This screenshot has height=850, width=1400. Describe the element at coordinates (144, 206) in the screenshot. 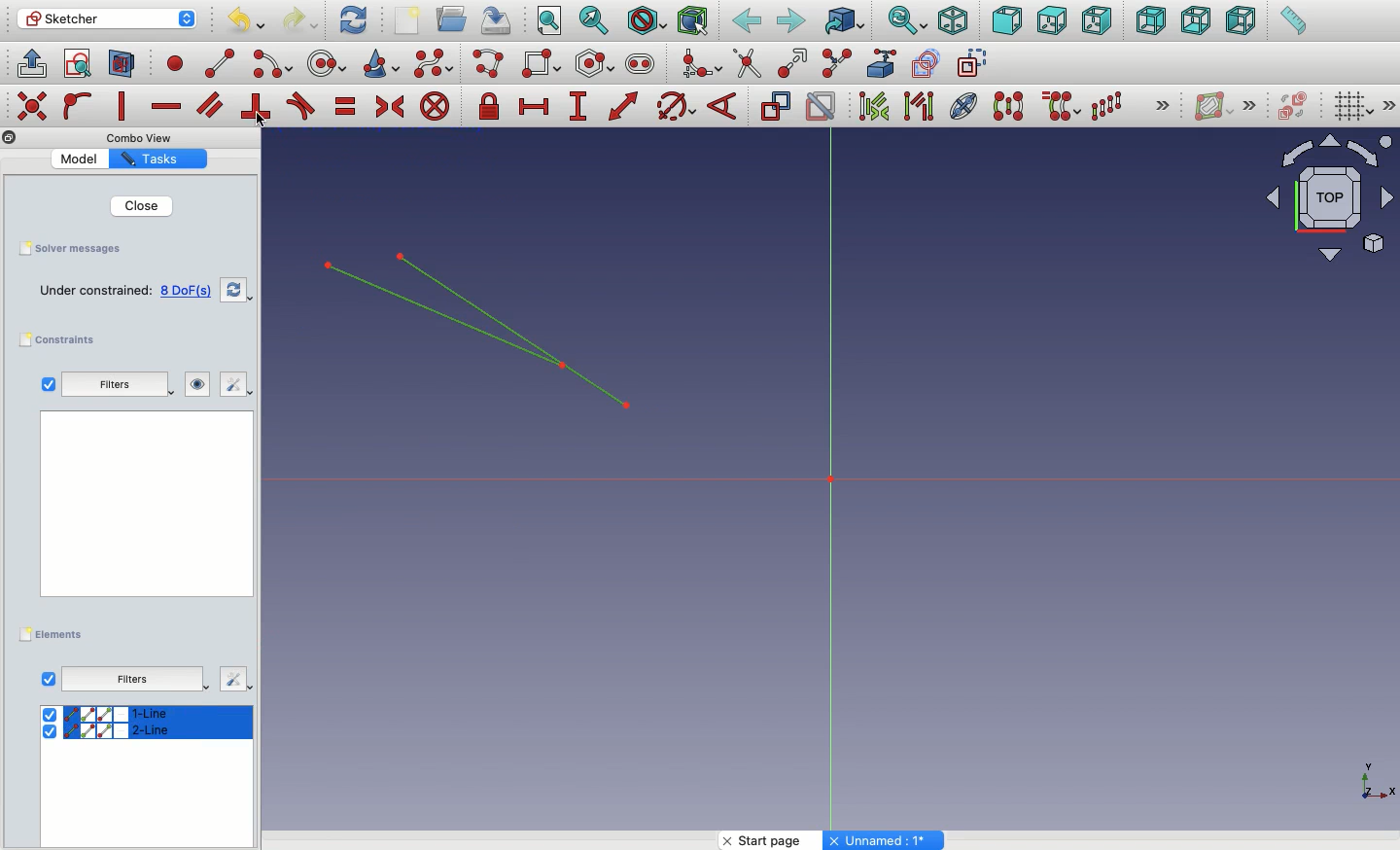

I see `Close` at that location.